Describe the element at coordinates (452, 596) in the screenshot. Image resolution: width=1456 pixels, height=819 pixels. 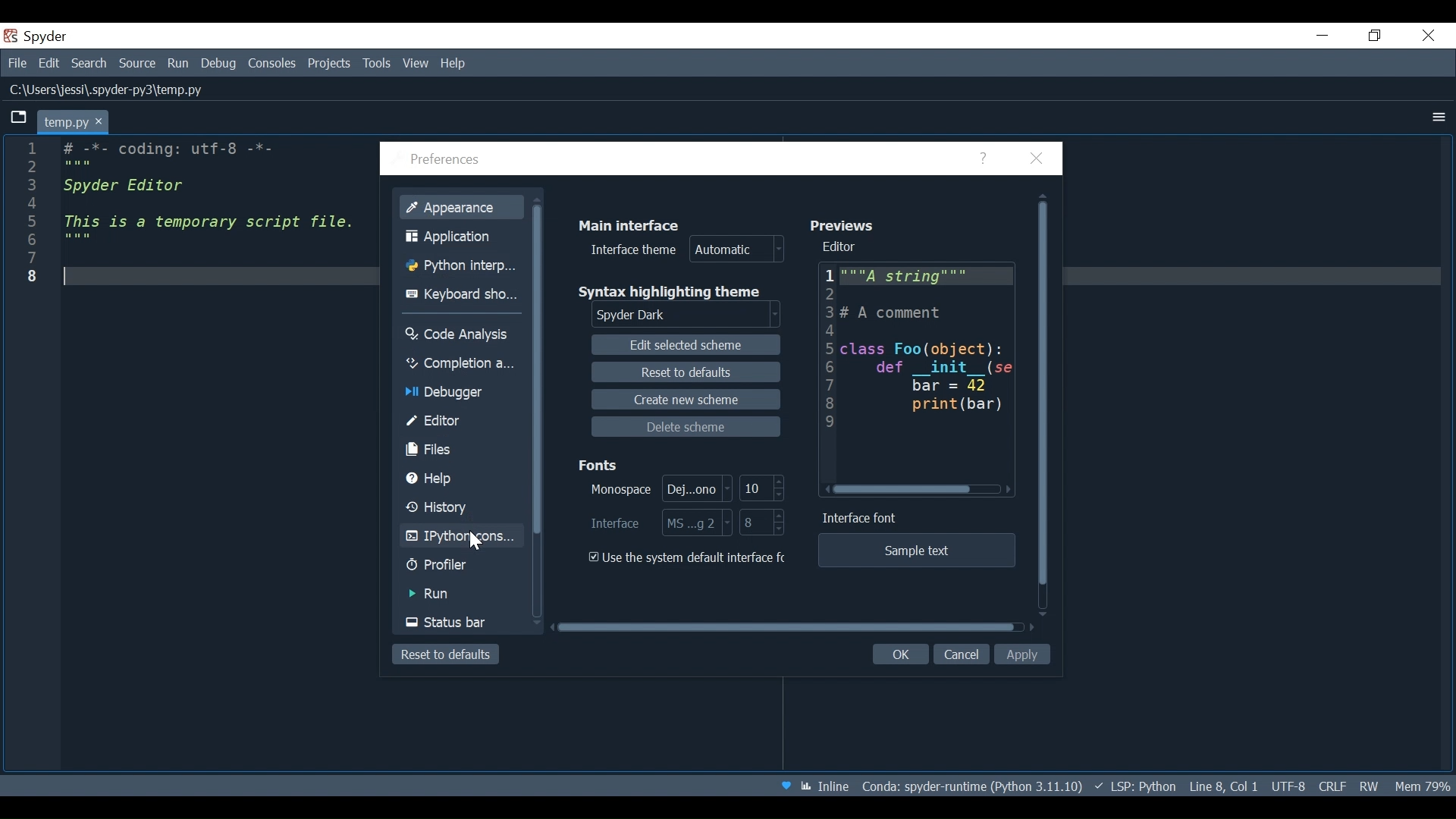
I see `Run` at that location.